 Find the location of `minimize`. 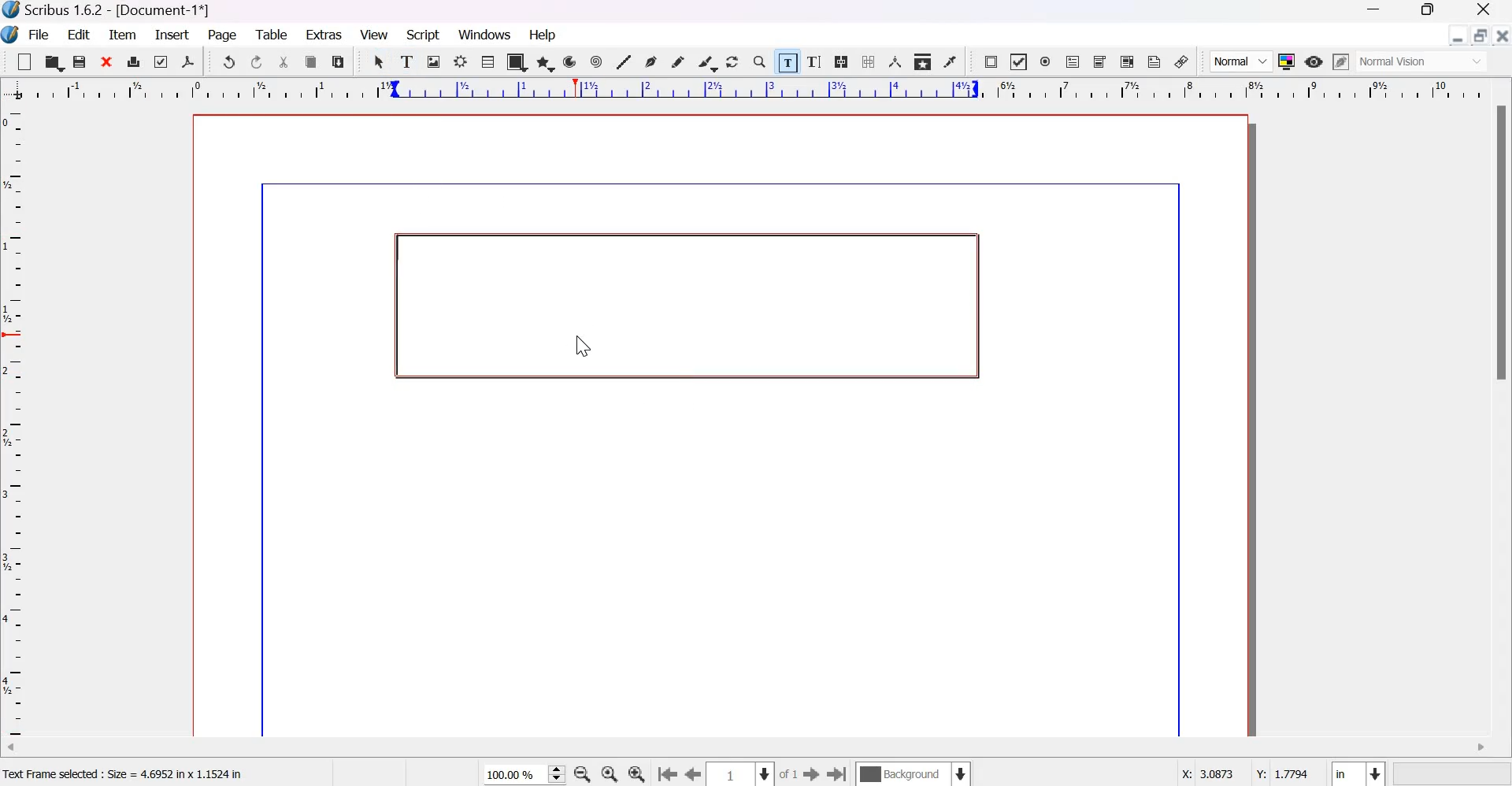

minimize is located at coordinates (1458, 35).